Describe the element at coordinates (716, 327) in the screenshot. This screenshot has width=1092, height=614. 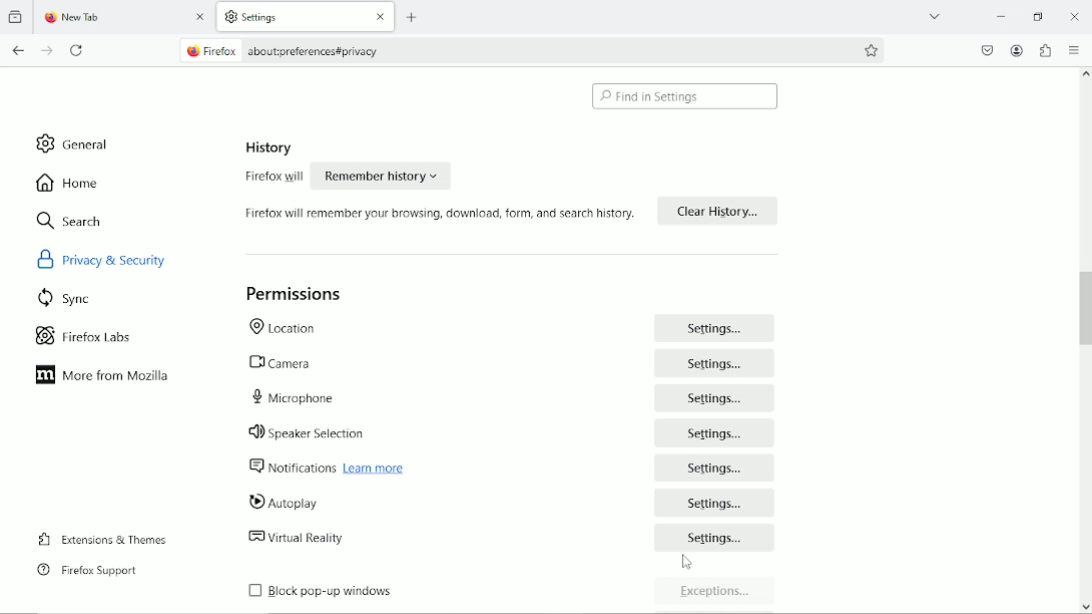
I see `Settings...` at that location.